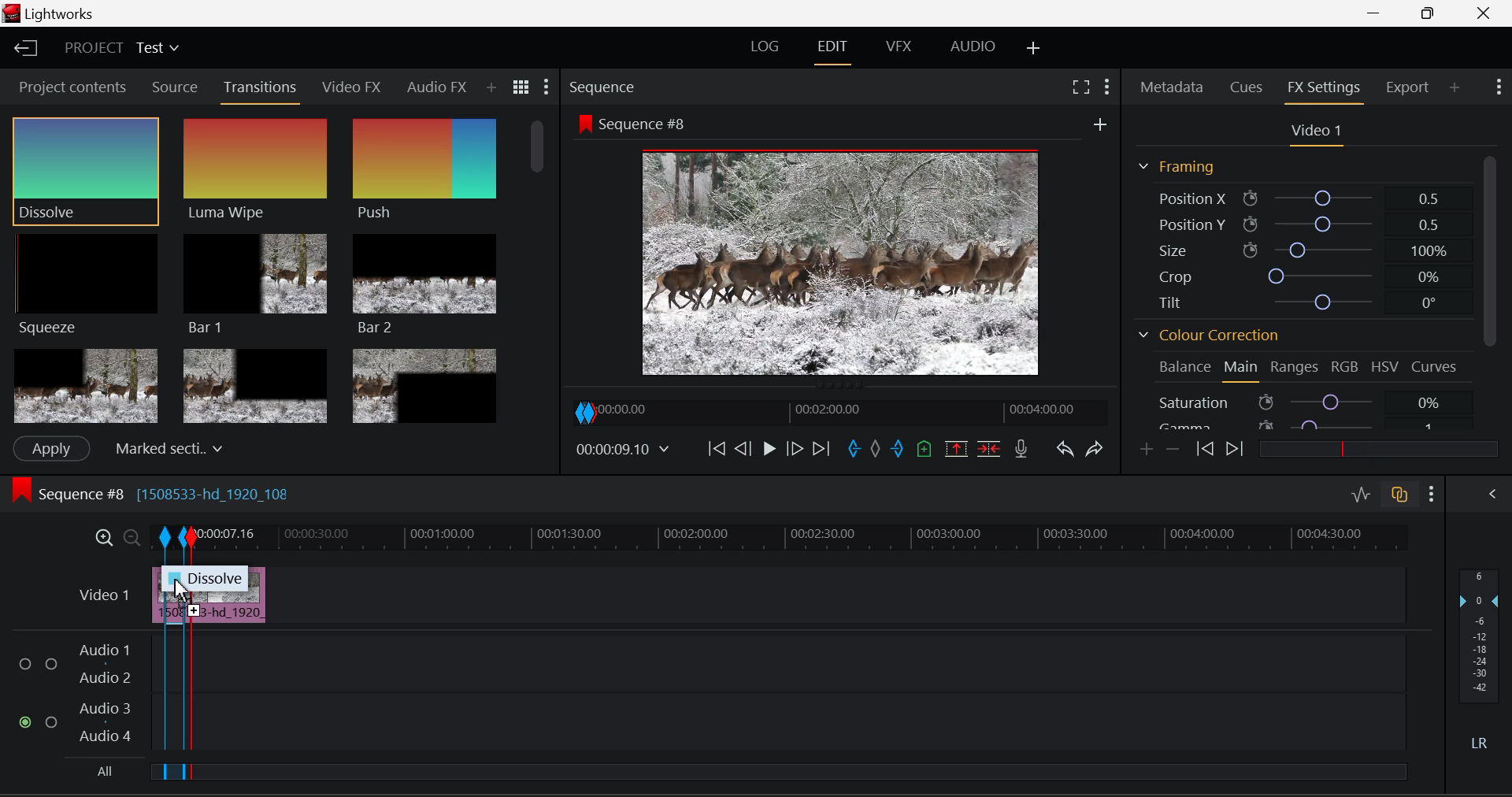  Describe the element at coordinates (87, 170) in the screenshot. I see `Cursor MOUSE_DOWN on Dissolve` at that location.